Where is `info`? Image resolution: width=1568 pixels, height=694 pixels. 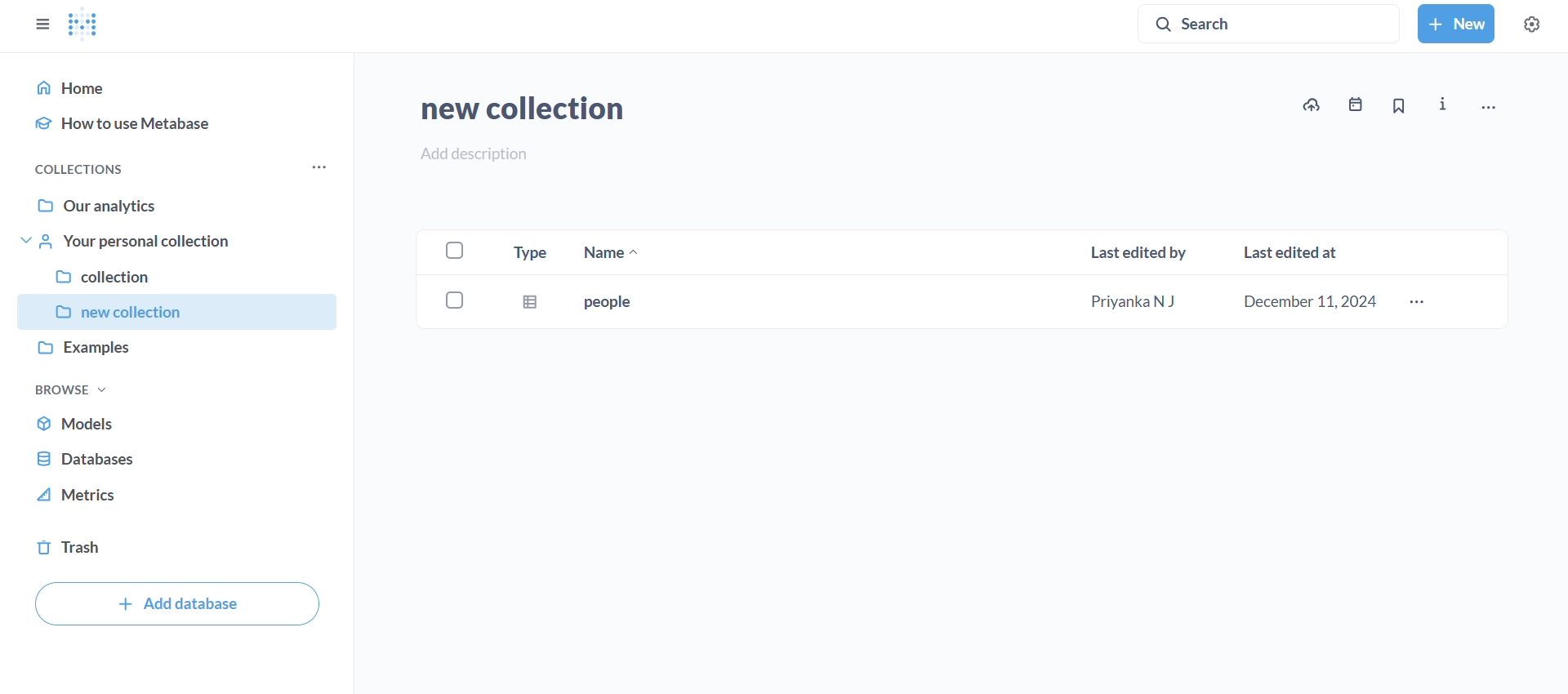 info is located at coordinates (1445, 105).